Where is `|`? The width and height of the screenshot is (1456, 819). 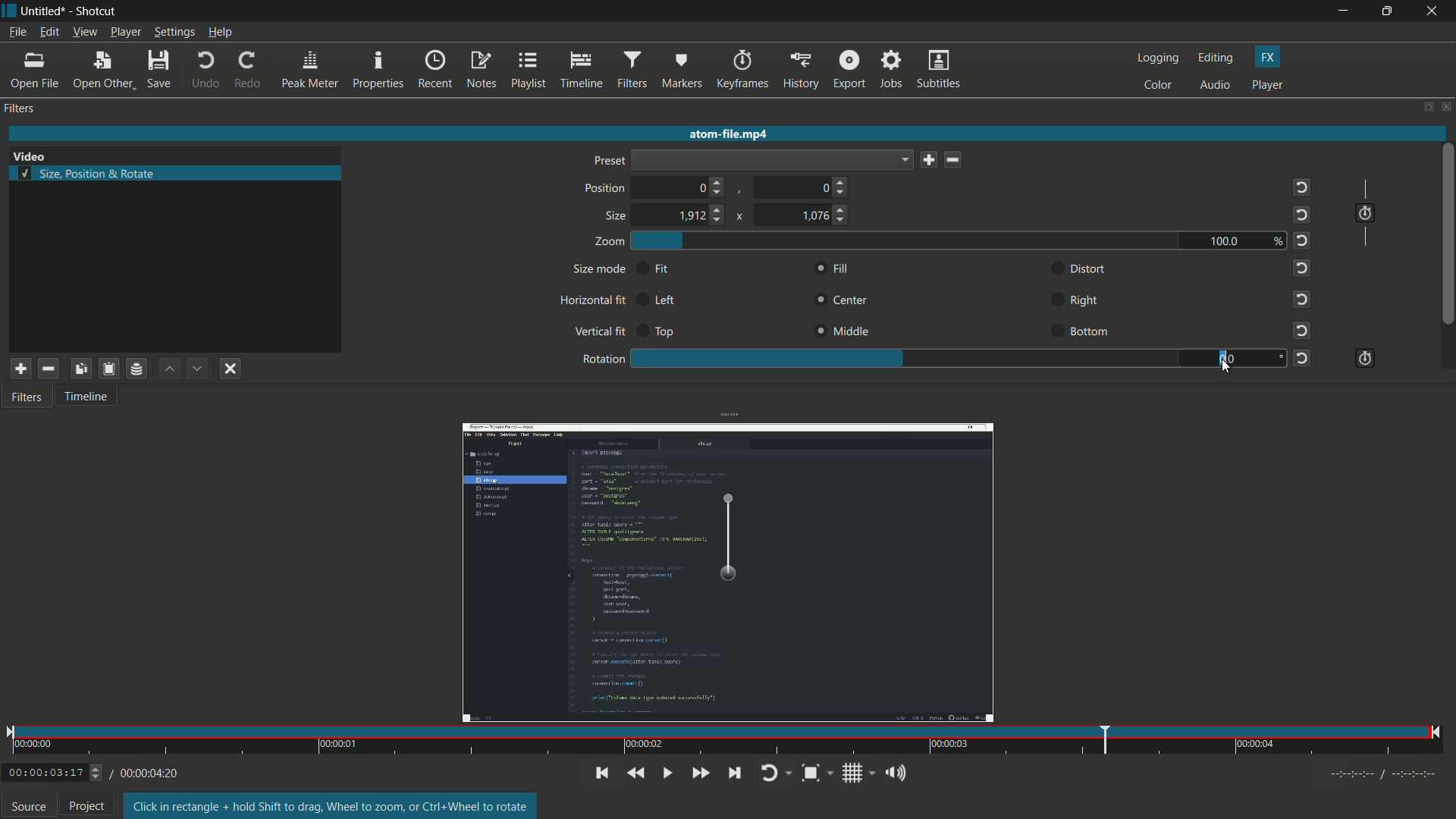
| is located at coordinates (1371, 243).